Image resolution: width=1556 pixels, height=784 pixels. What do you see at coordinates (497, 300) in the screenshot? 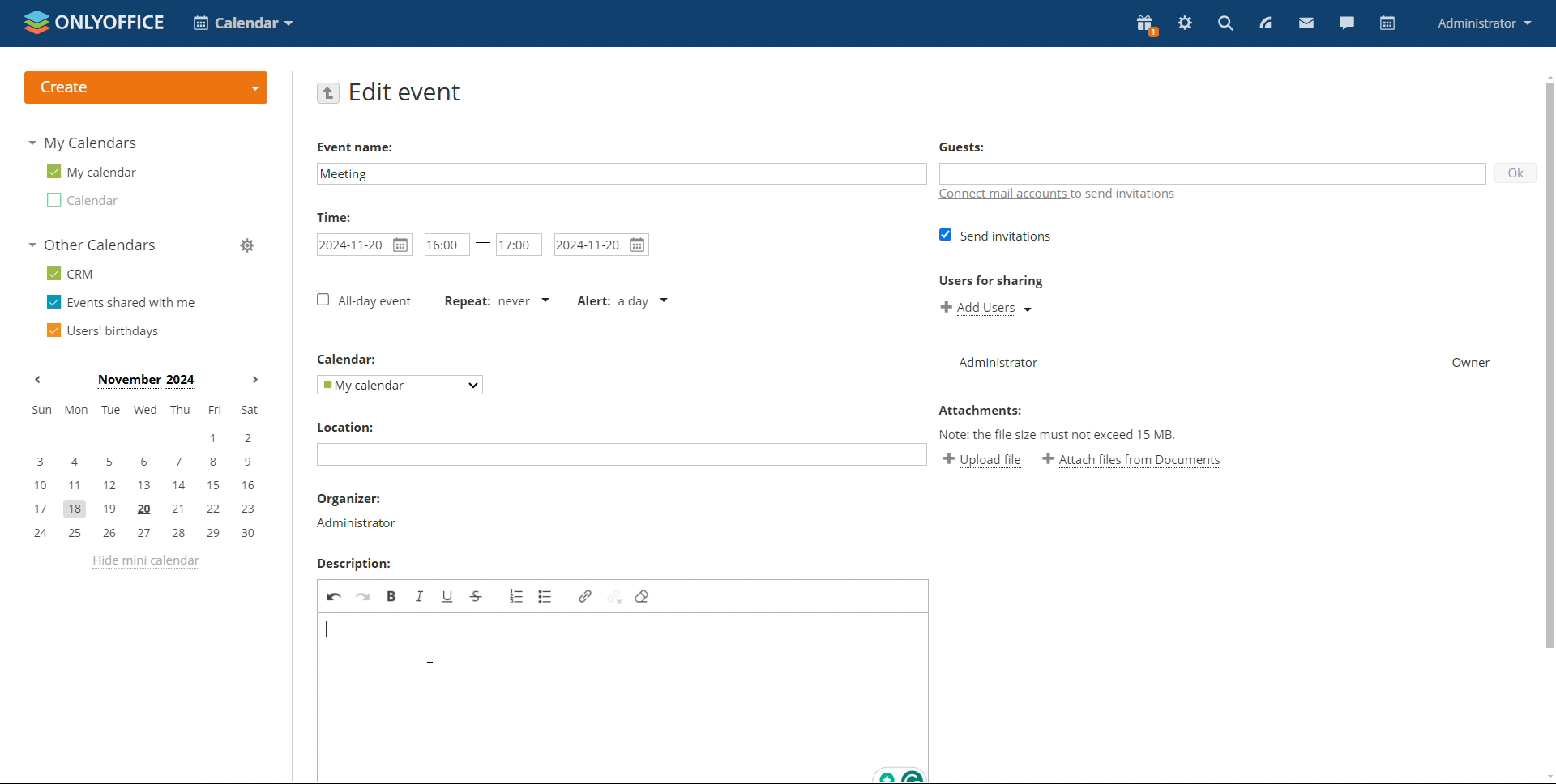
I see `event repetition` at bounding box center [497, 300].